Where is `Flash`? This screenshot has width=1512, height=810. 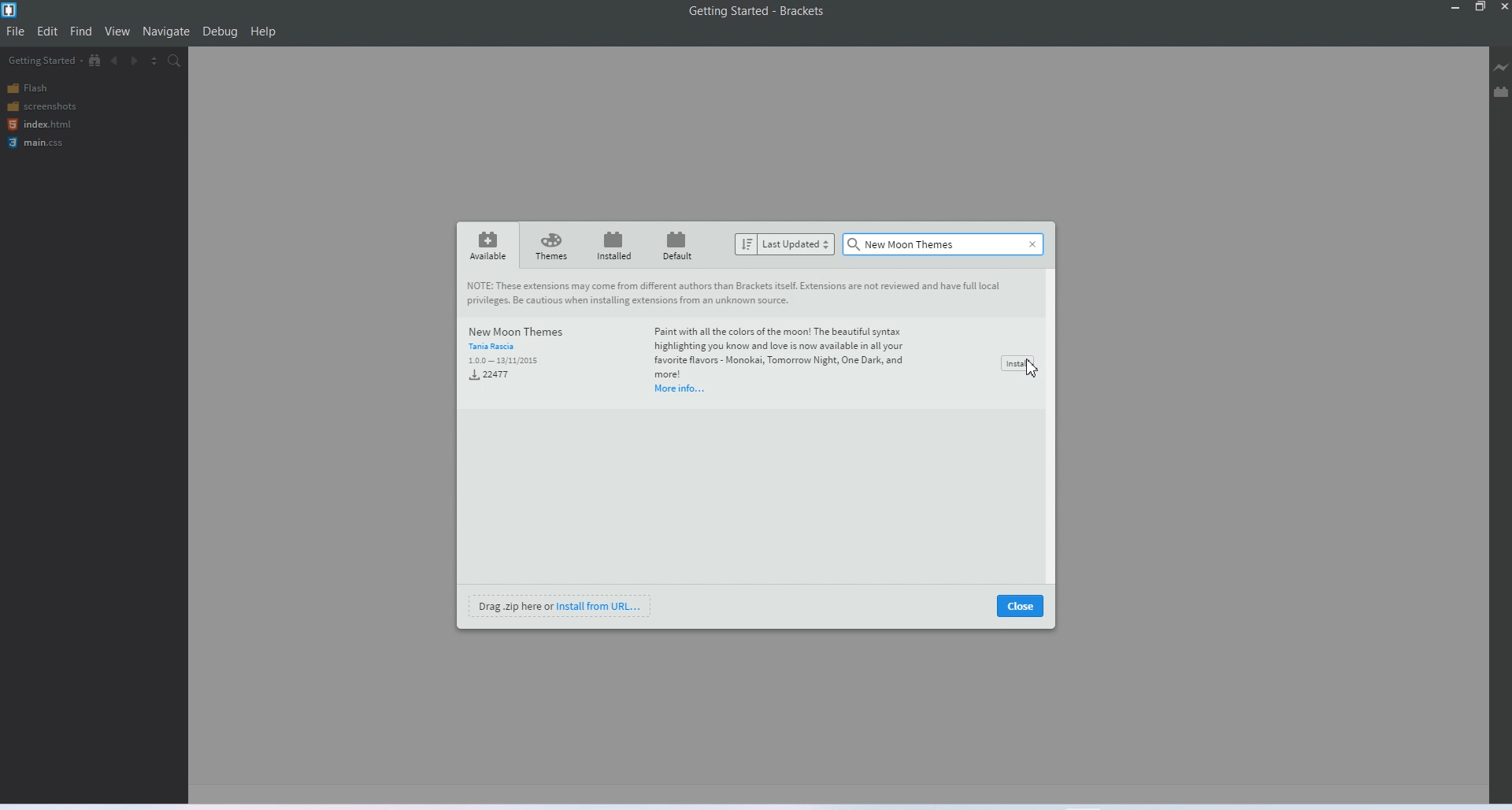
Flash is located at coordinates (39, 89).